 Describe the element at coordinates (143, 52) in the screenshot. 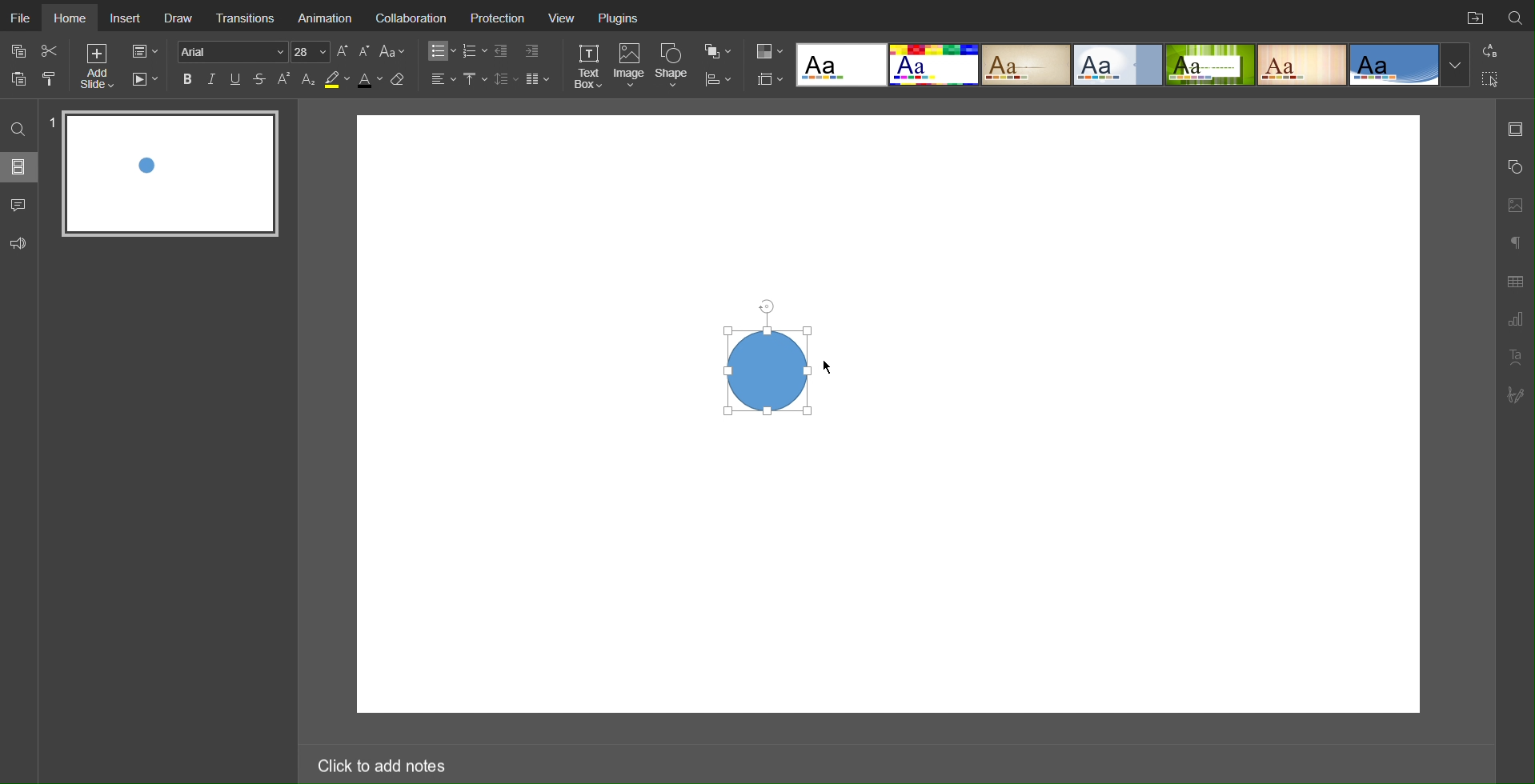

I see `Slide Settings` at that location.